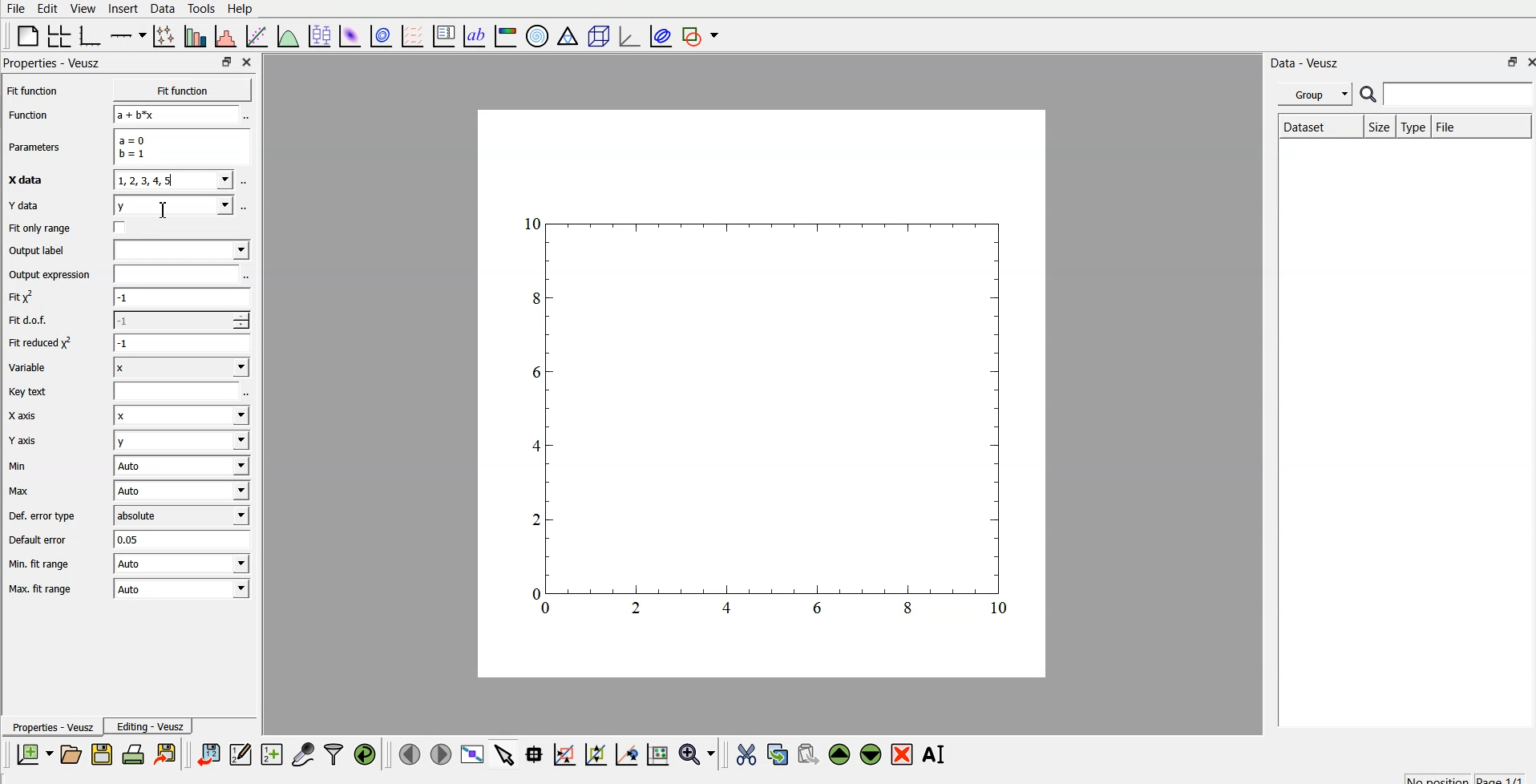 The image size is (1536, 784). Describe the element at coordinates (180, 298) in the screenshot. I see `-1` at that location.